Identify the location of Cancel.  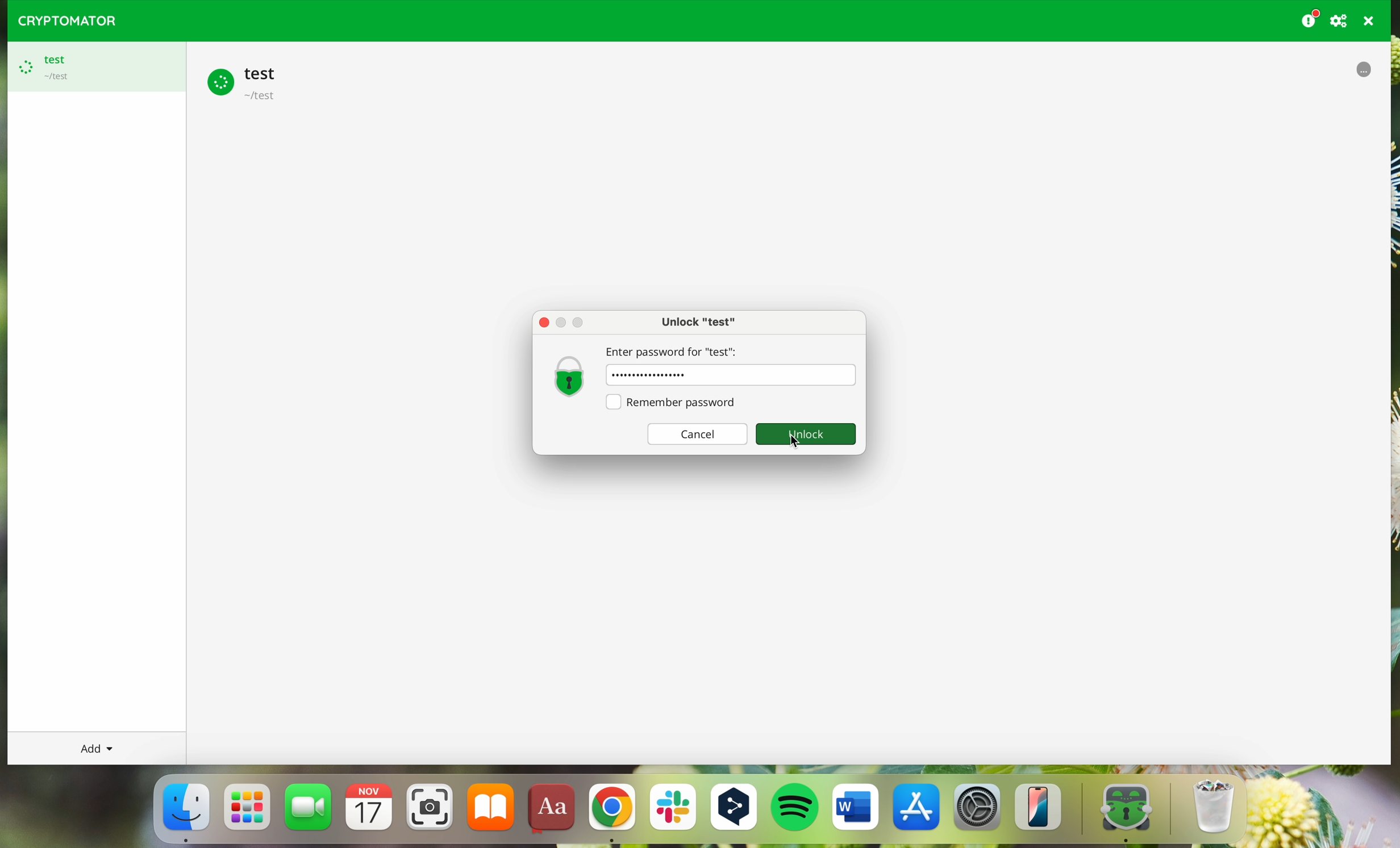
(697, 434).